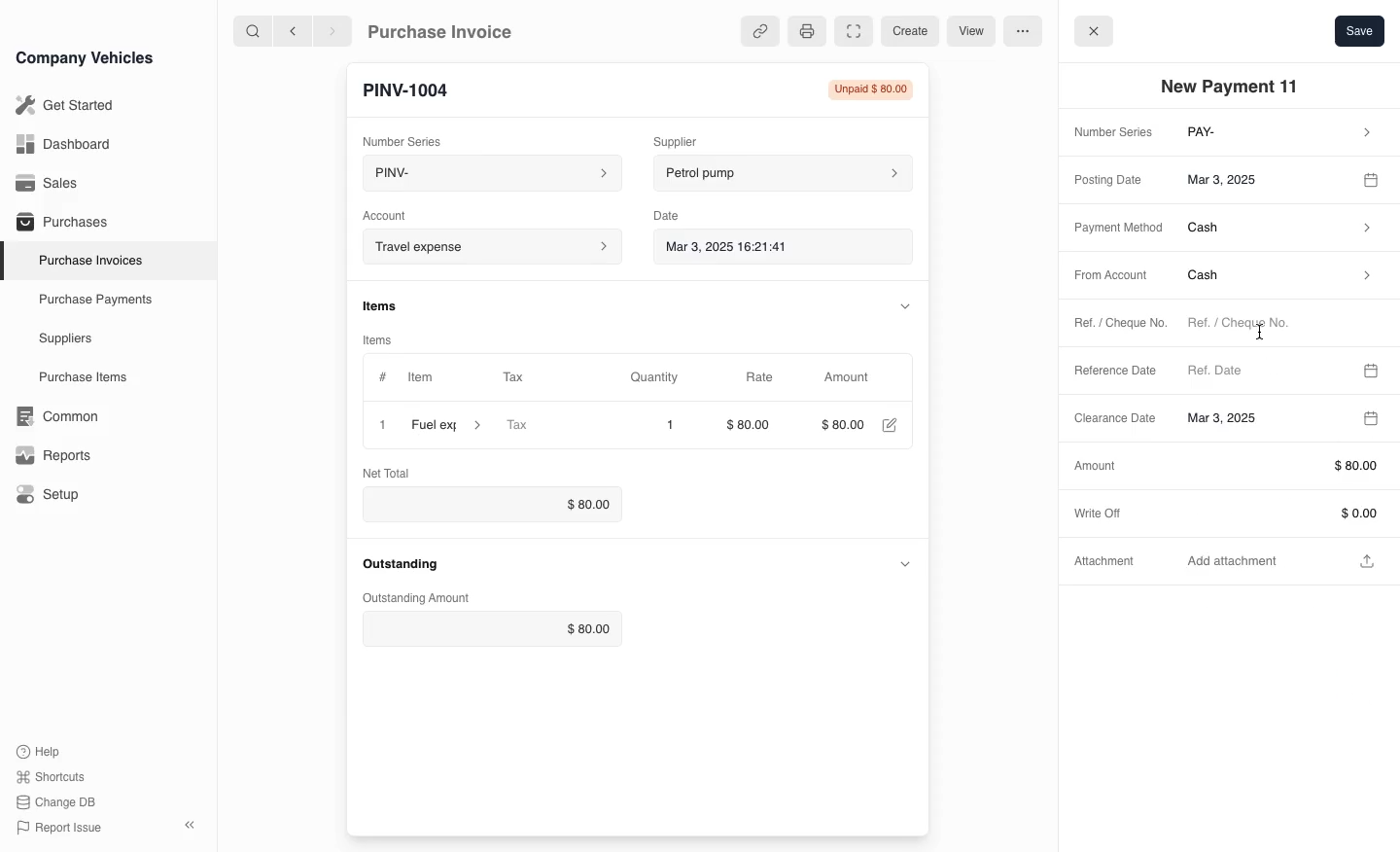 This screenshot has width=1400, height=852. I want to click on Outstanding, so click(401, 563).